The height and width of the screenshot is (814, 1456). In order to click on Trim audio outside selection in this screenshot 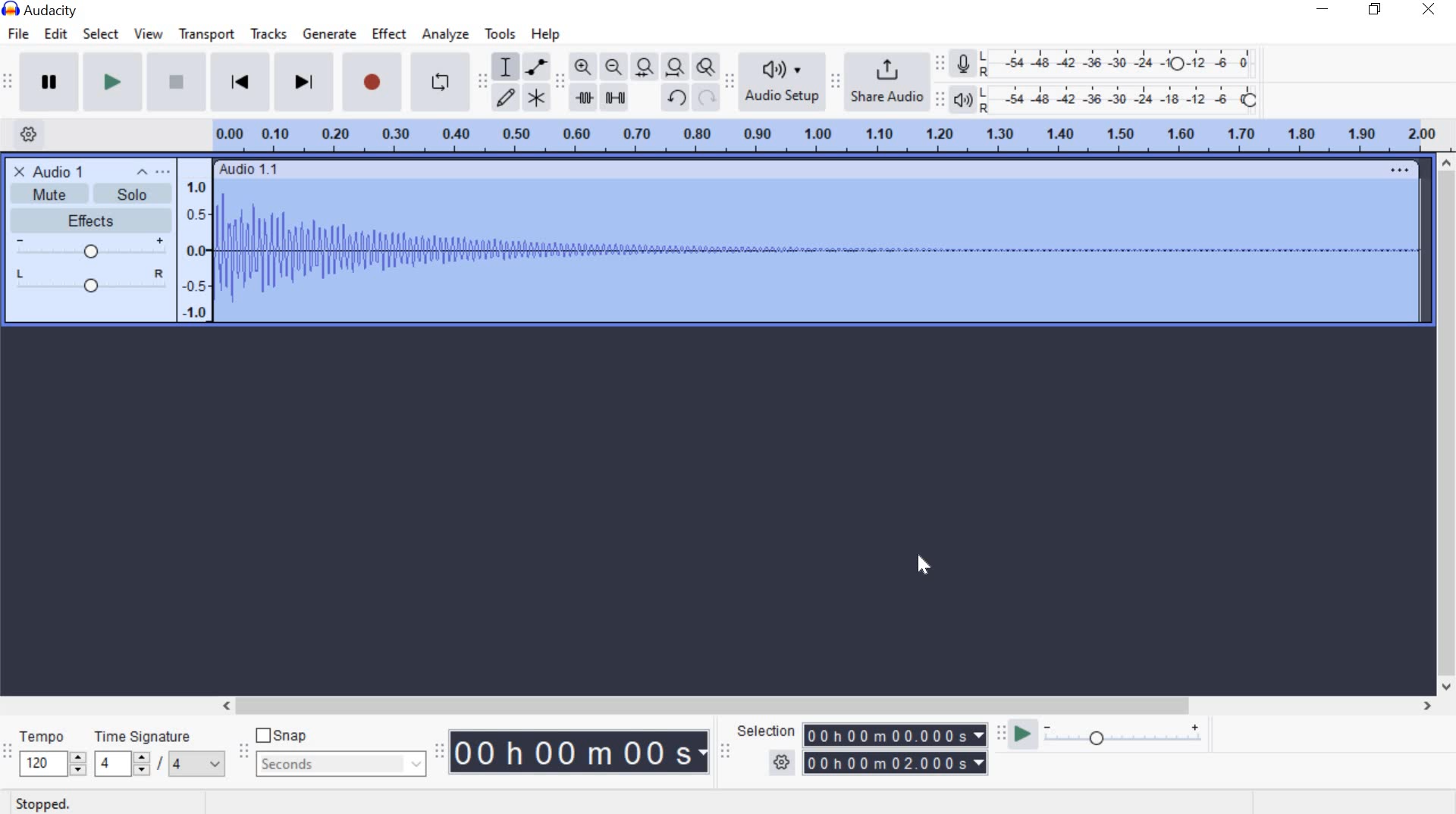, I will do `click(584, 101)`.